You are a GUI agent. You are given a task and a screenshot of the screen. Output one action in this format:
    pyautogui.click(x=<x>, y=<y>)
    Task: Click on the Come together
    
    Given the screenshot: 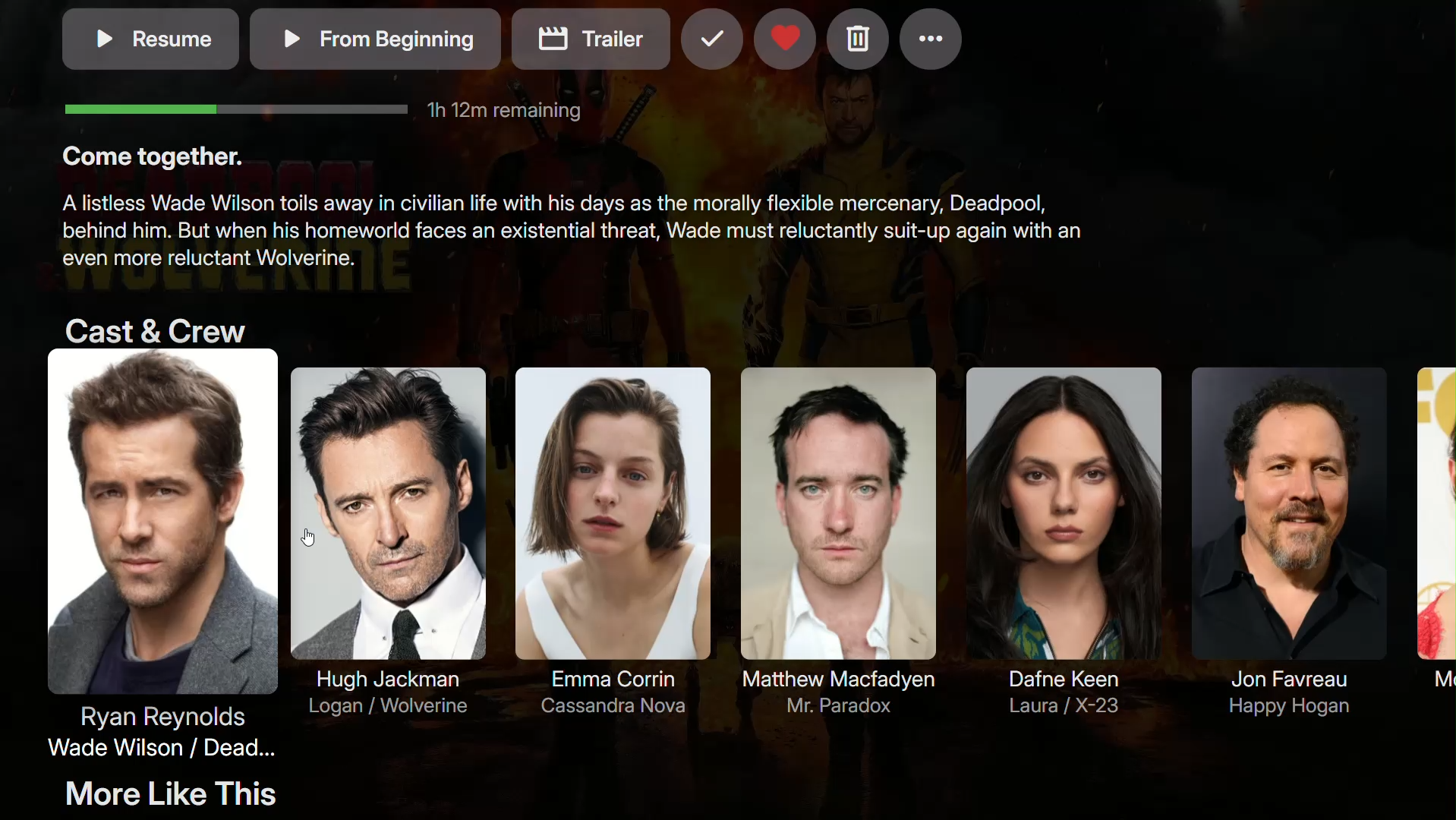 What is the action you would take?
    pyautogui.click(x=152, y=156)
    